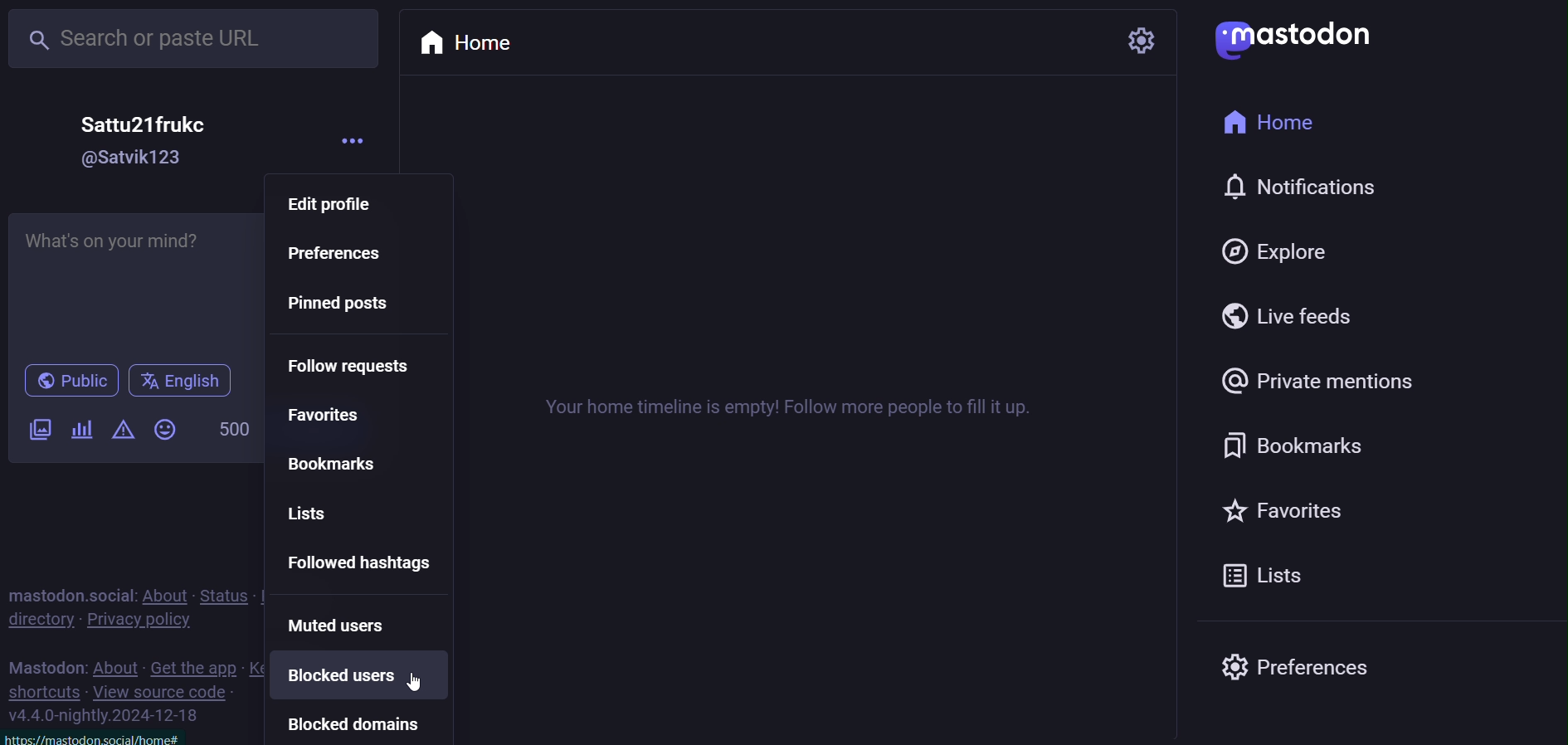 The image size is (1568, 745). What do you see at coordinates (99, 735) in the screenshot?
I see `V4.4.0-nightly.2024-12-18` at bounding box center [99, 735].